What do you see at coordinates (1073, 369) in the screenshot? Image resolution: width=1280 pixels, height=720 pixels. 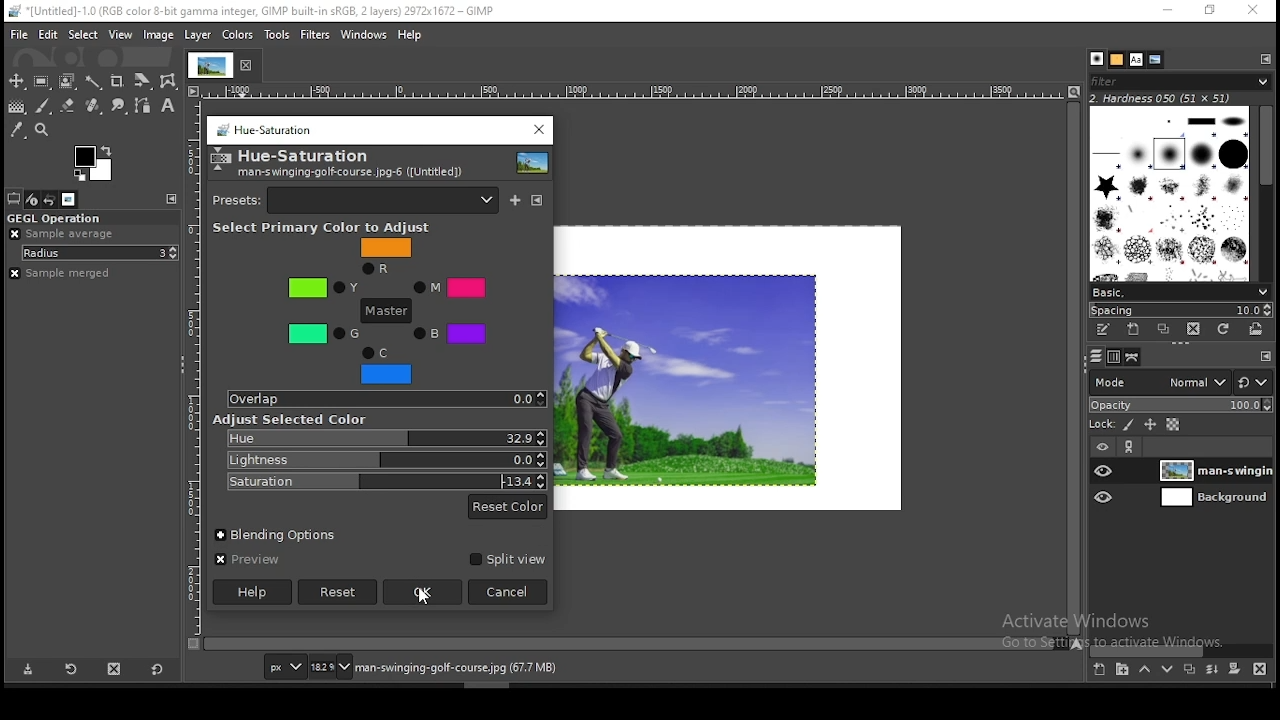 I see `scroll bar` at bounding box center [1073, 369].